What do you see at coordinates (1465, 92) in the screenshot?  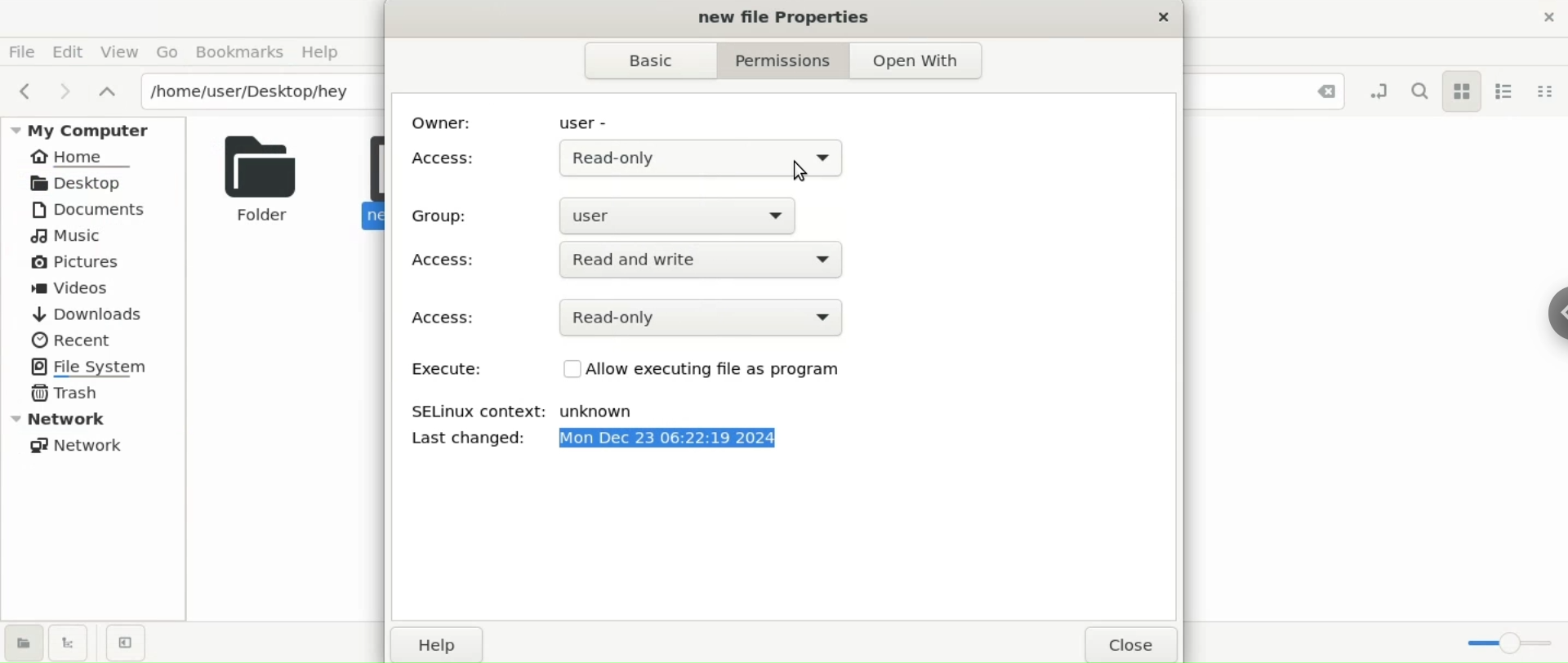 I see `icon view` at bounding box center [1465, 92].